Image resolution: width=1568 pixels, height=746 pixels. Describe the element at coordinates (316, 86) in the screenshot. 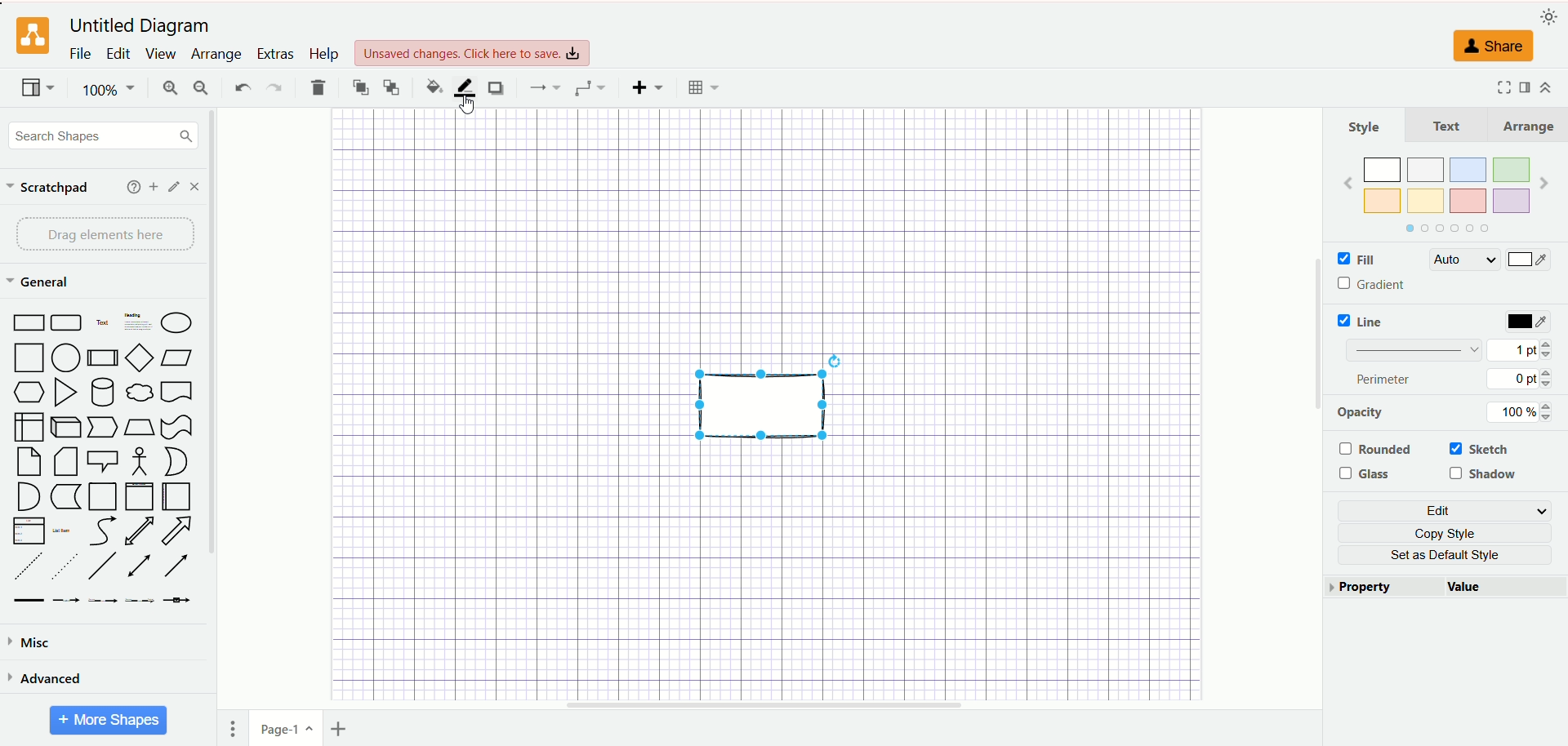

I see `delete` at that location.